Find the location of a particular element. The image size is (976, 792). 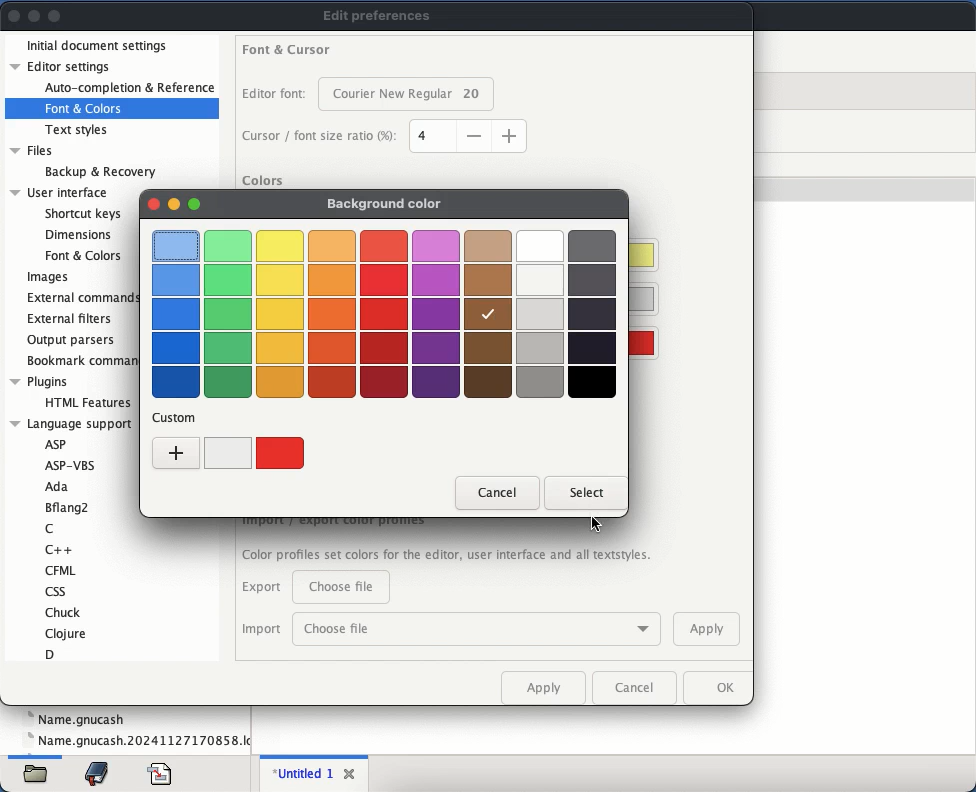

editor settings is located at coordinates (62, 68).